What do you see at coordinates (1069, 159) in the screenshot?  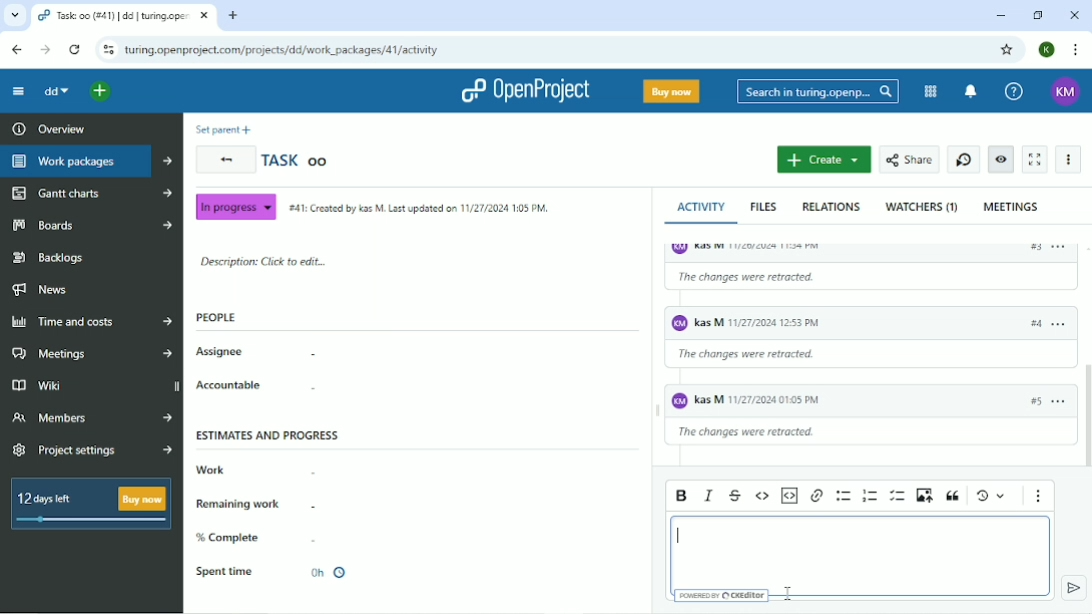 I see `More` at bounding box center [1069, 159].